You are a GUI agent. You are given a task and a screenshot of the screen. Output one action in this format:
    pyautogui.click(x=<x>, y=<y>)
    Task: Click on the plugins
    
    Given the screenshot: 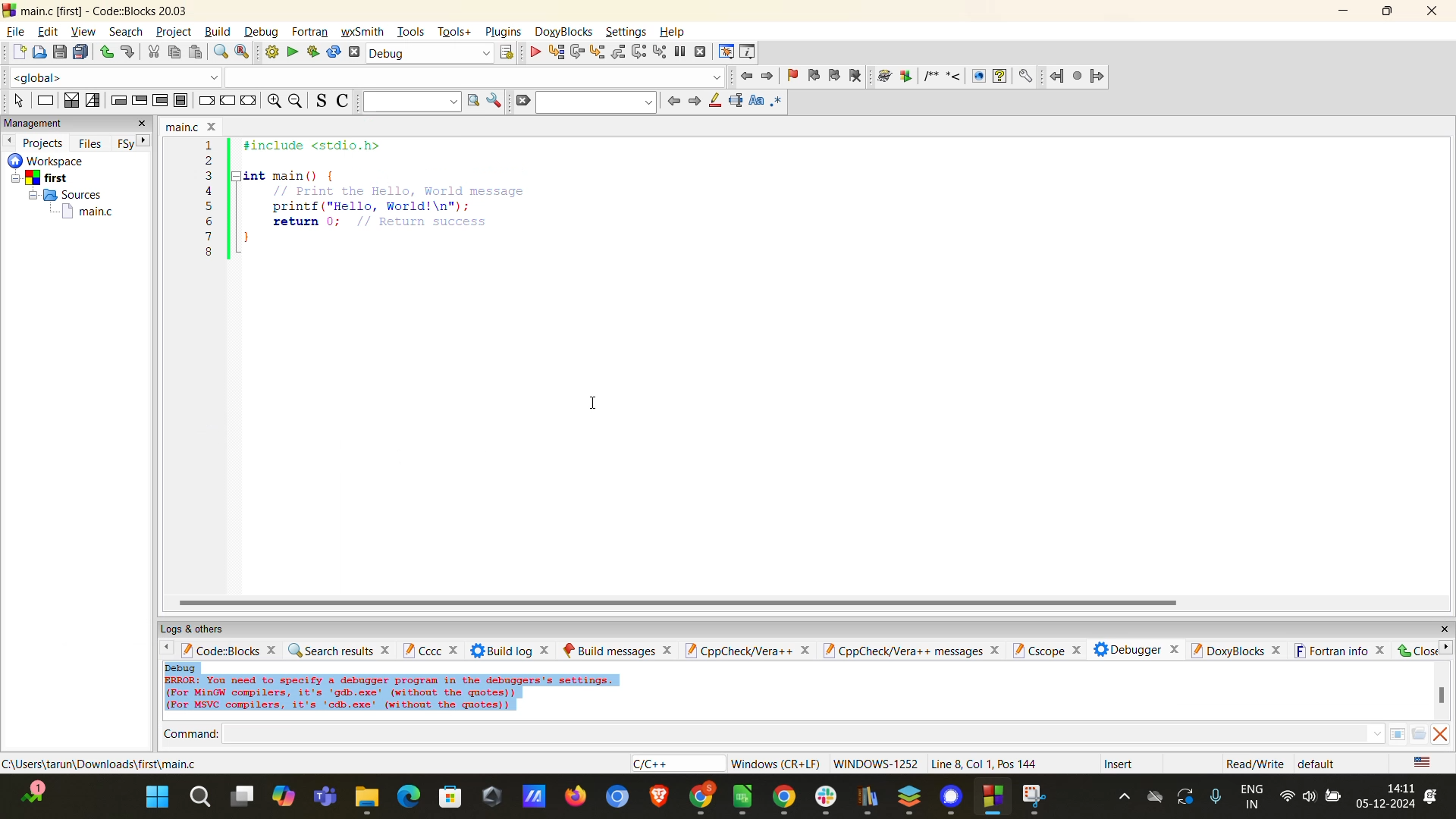 What is the action you would take?
    pyautogui.click(x=503, y=30)
    